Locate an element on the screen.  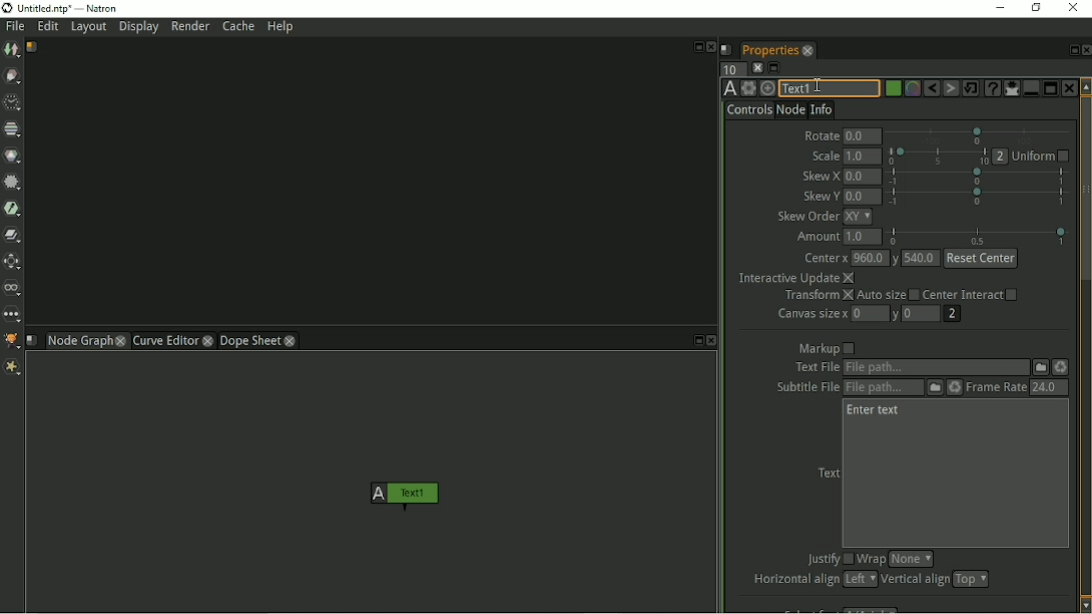
Float pane is located at coordinates (696, 45).